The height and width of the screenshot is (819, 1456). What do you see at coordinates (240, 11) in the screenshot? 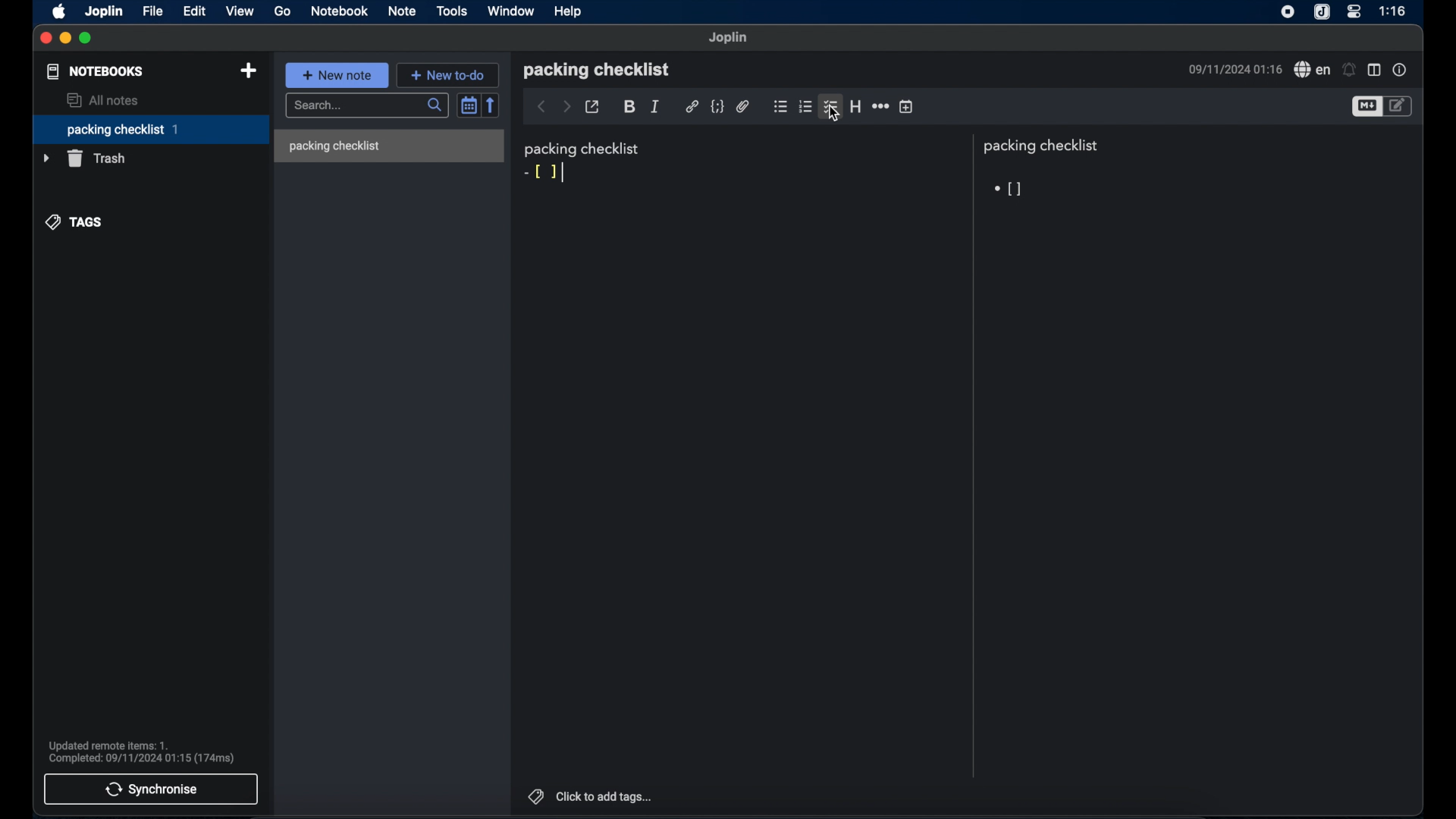
I see `view` at bounding box center [240, 11].